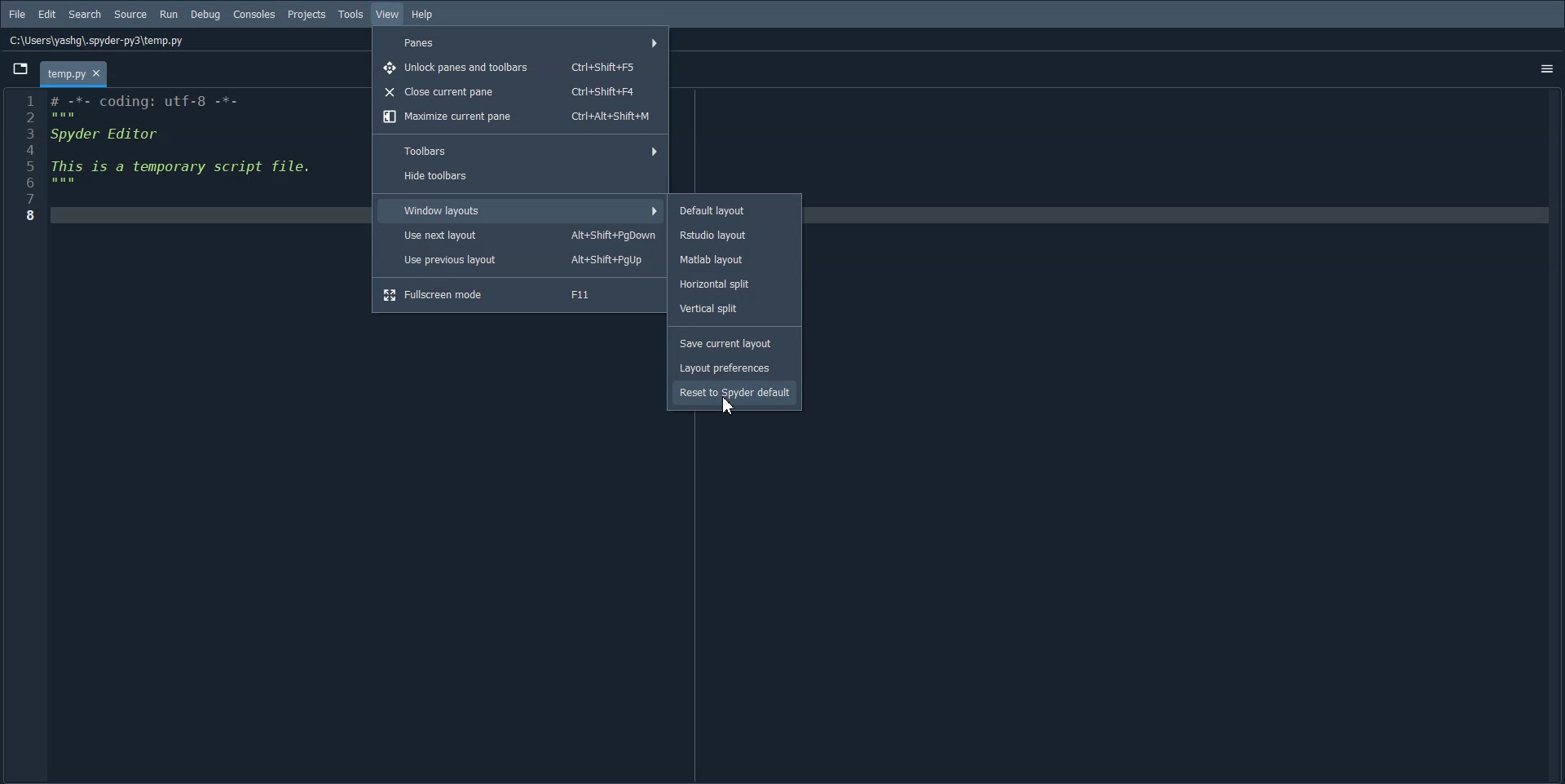 The image size is (1565, 784). I want to click on Projects, so click(307, 15).